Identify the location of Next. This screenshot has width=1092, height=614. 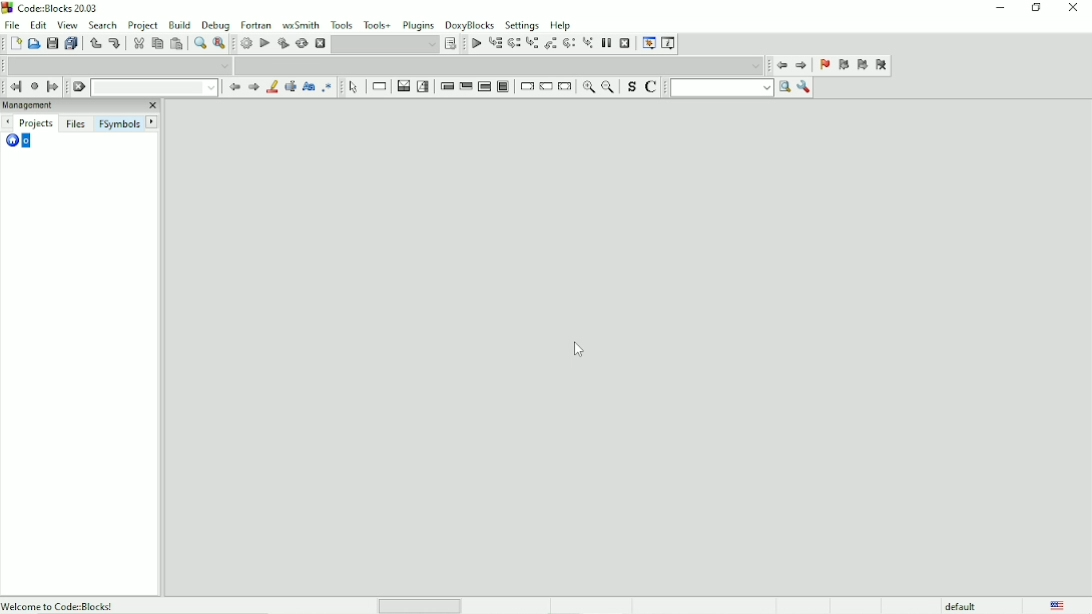
(253, 87).